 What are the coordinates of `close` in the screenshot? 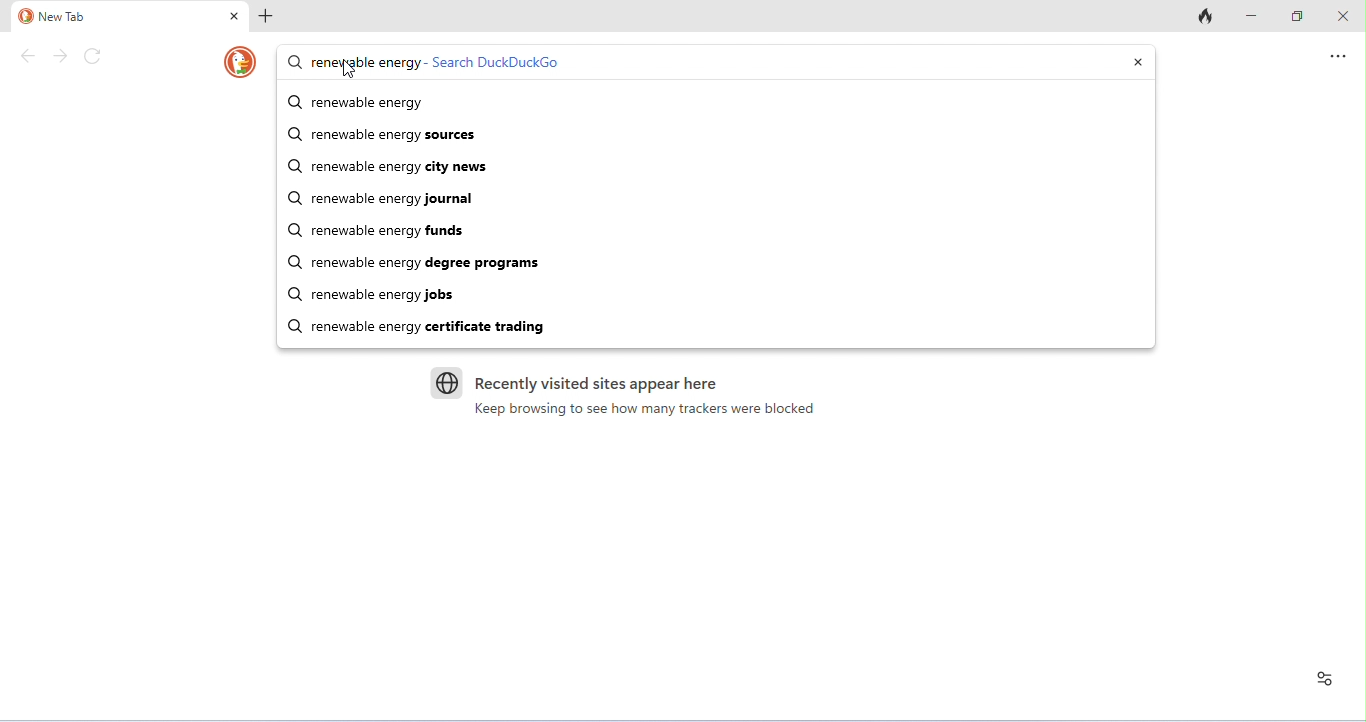 It's located at (1343, 15).